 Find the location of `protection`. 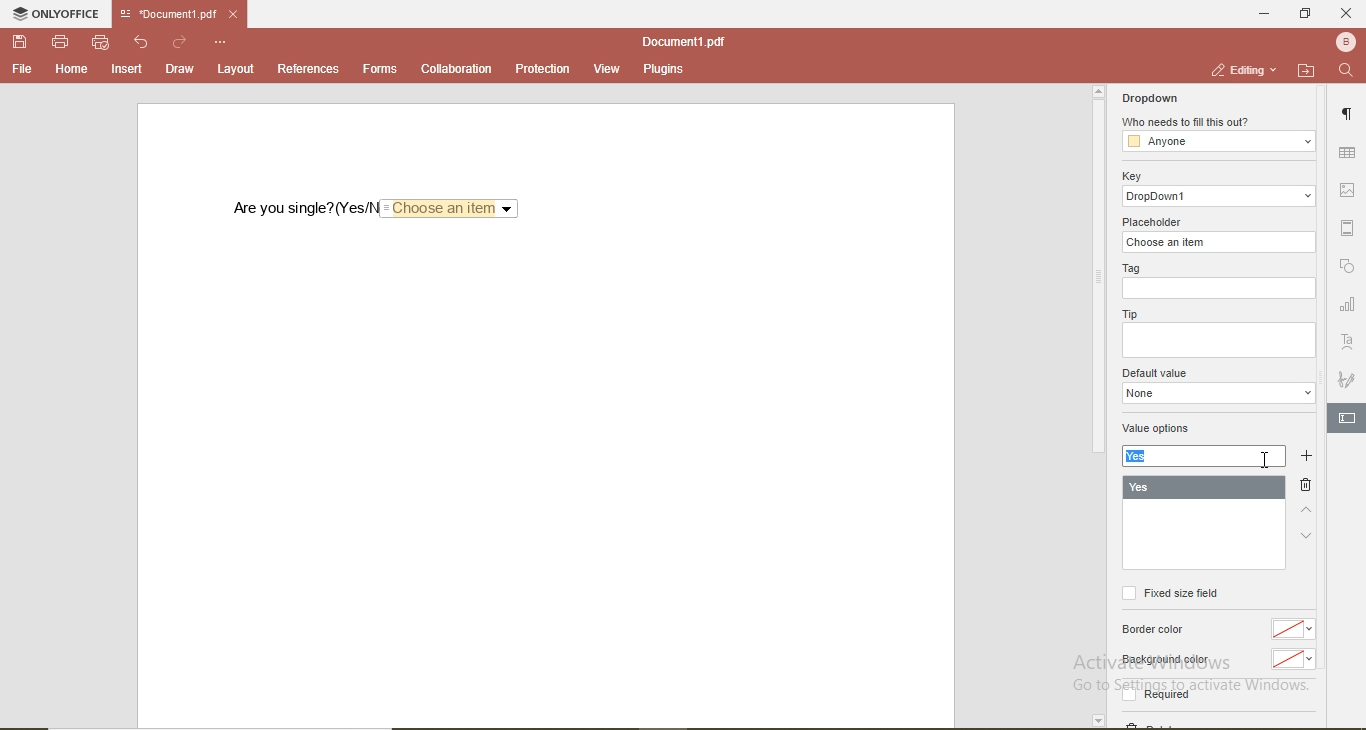

protection is located at coordinates (544, 68).